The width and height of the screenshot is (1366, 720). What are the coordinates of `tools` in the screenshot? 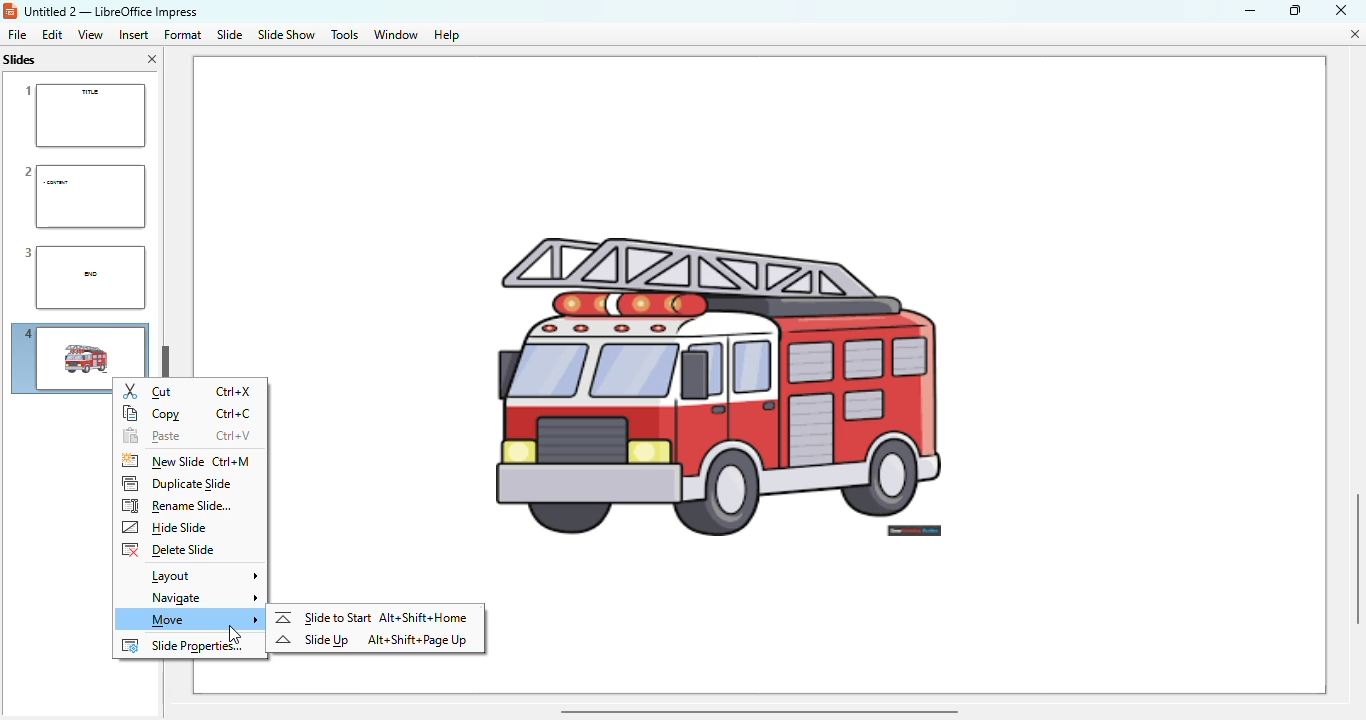 It's located at (344, 35).